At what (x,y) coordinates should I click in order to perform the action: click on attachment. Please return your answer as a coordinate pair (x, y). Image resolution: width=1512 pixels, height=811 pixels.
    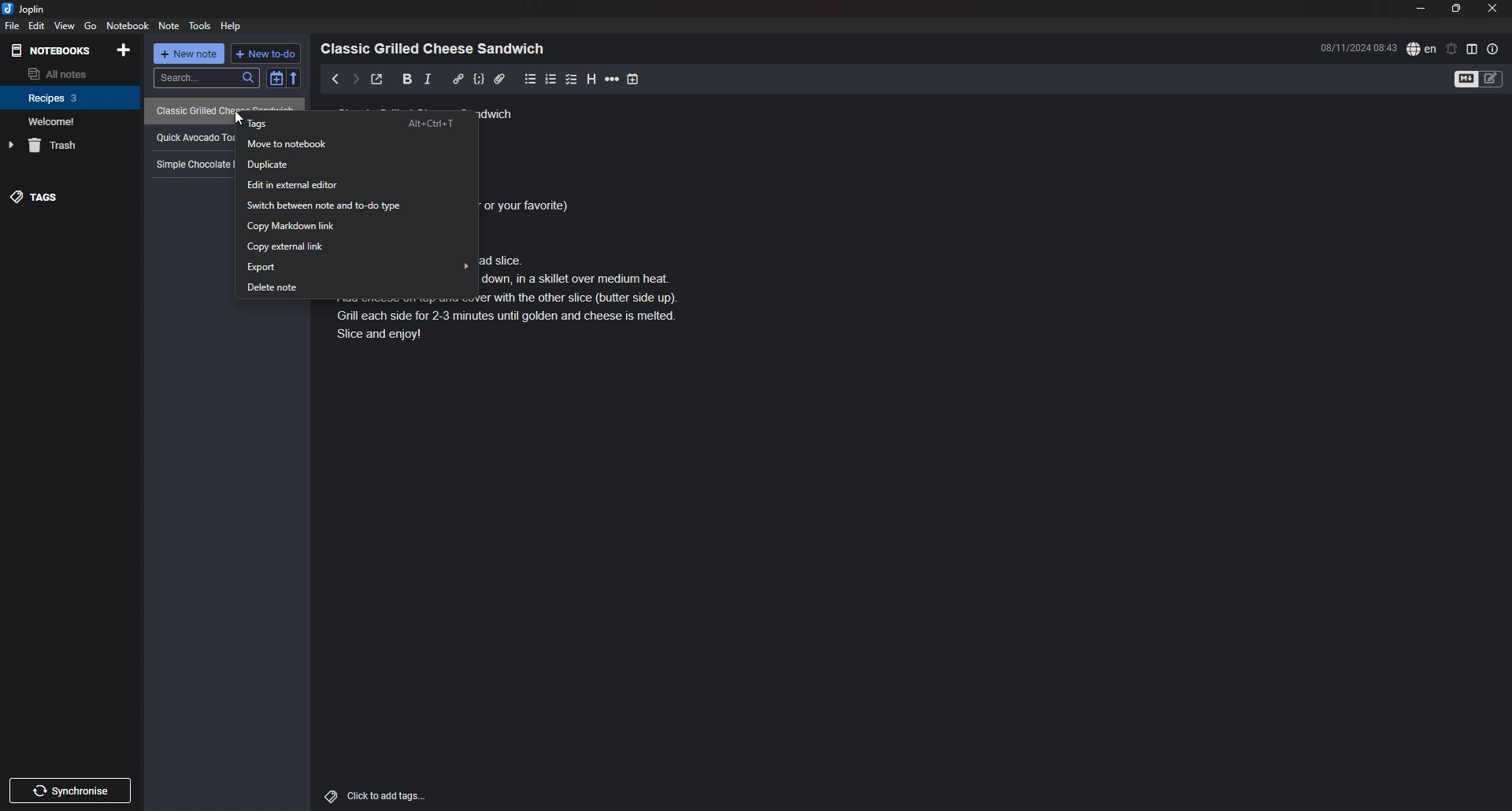
    Looking at the image, I should click on (499, 79).